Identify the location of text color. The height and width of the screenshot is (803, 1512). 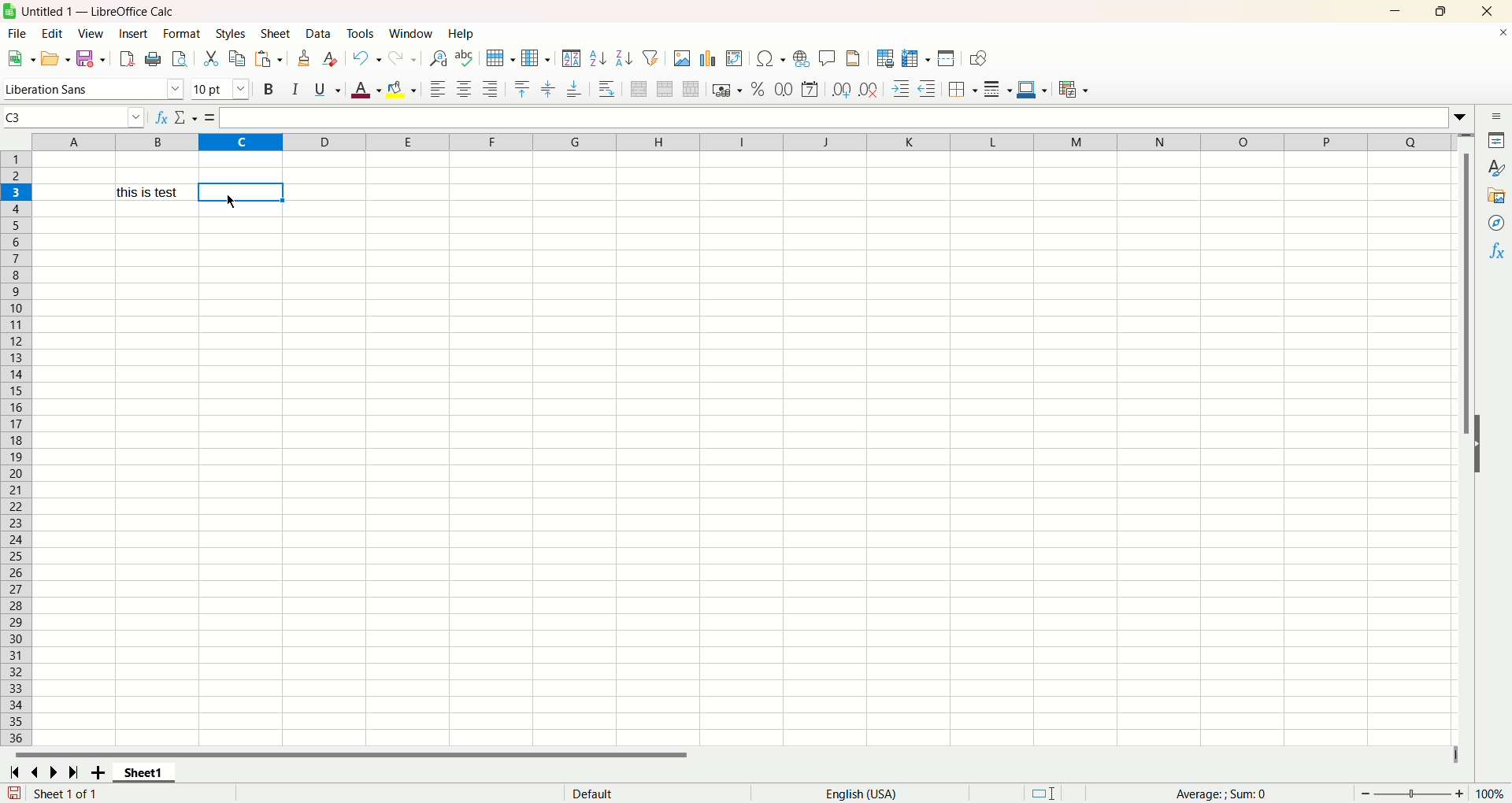
(368, 91).